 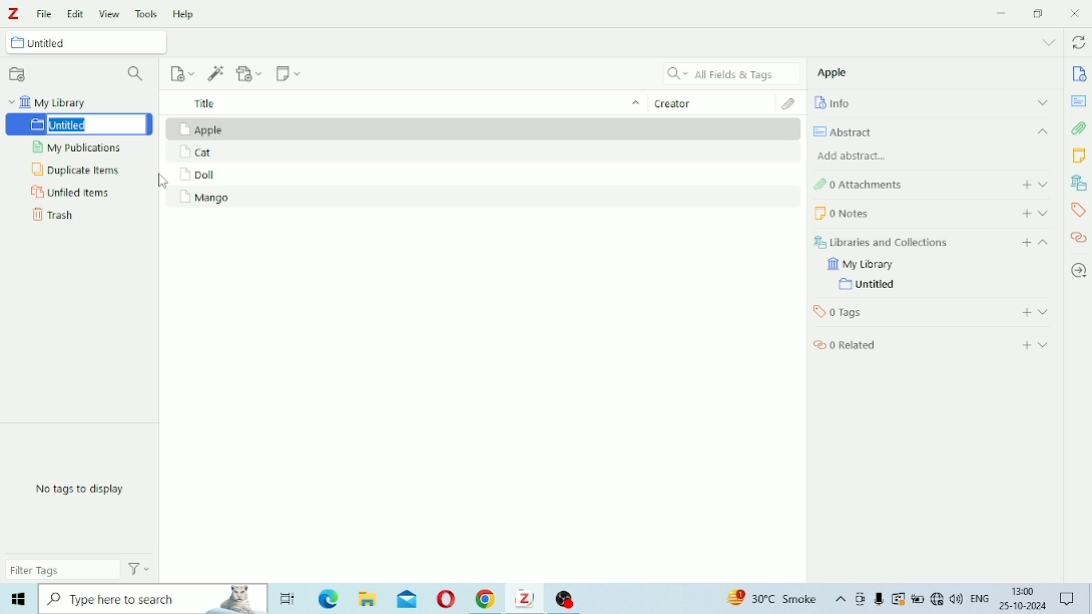 What do you see at coordinates (565, 598) in the screenshot?
I see `` at bounding box center [565, 598].